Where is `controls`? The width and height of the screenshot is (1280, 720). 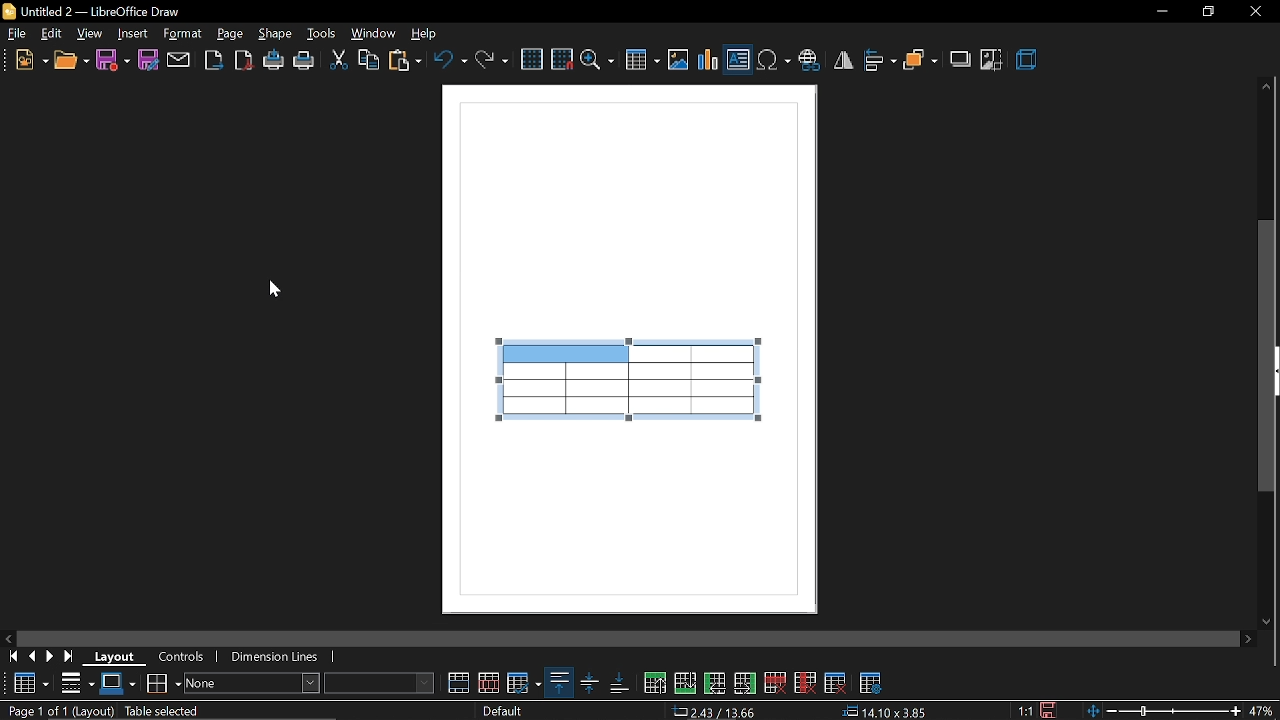 controls is located at coordinates (186, 659).